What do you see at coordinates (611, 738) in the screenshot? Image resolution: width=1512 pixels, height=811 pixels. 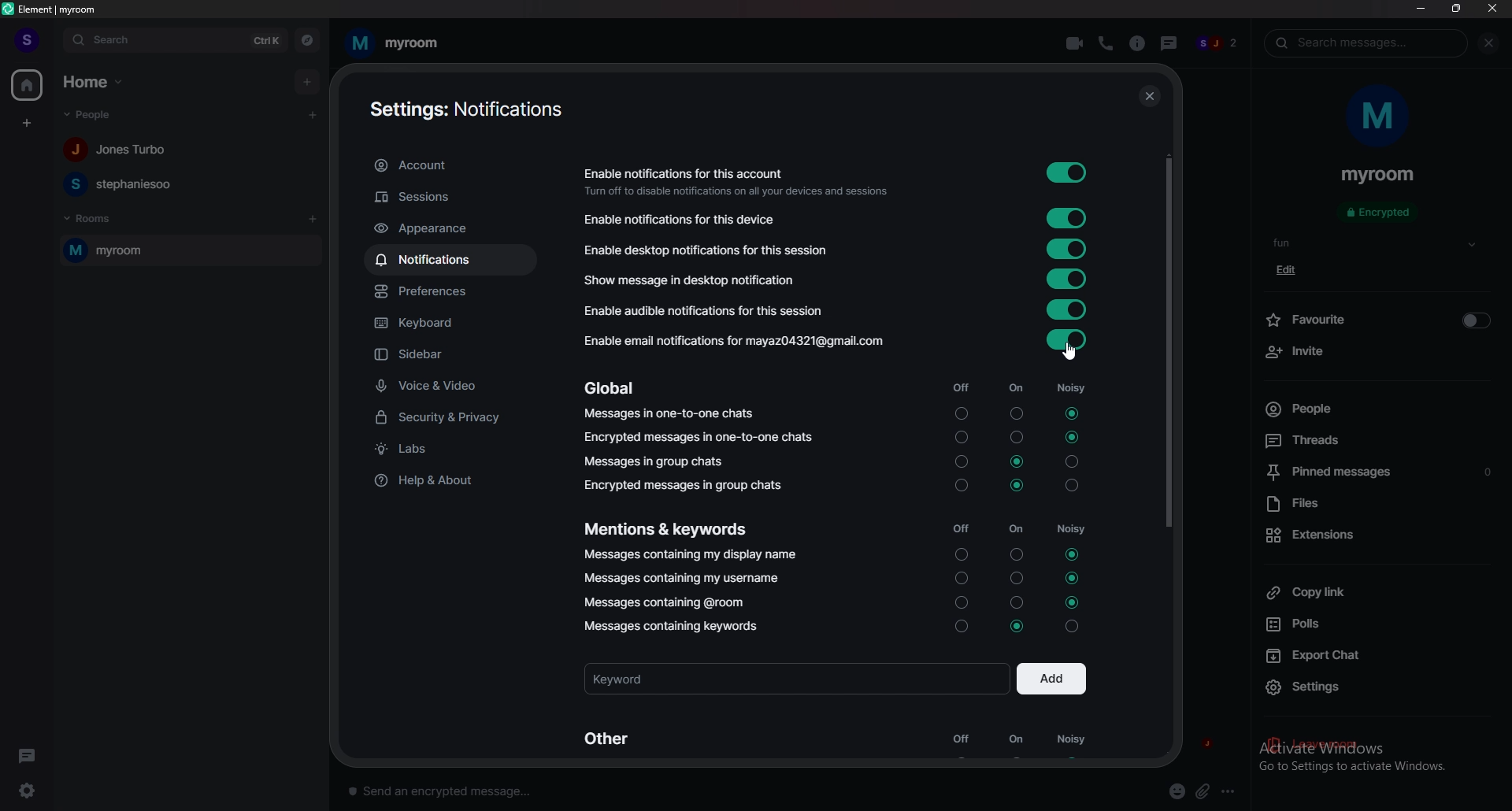 I see `other` at bounding box center [611, 738].